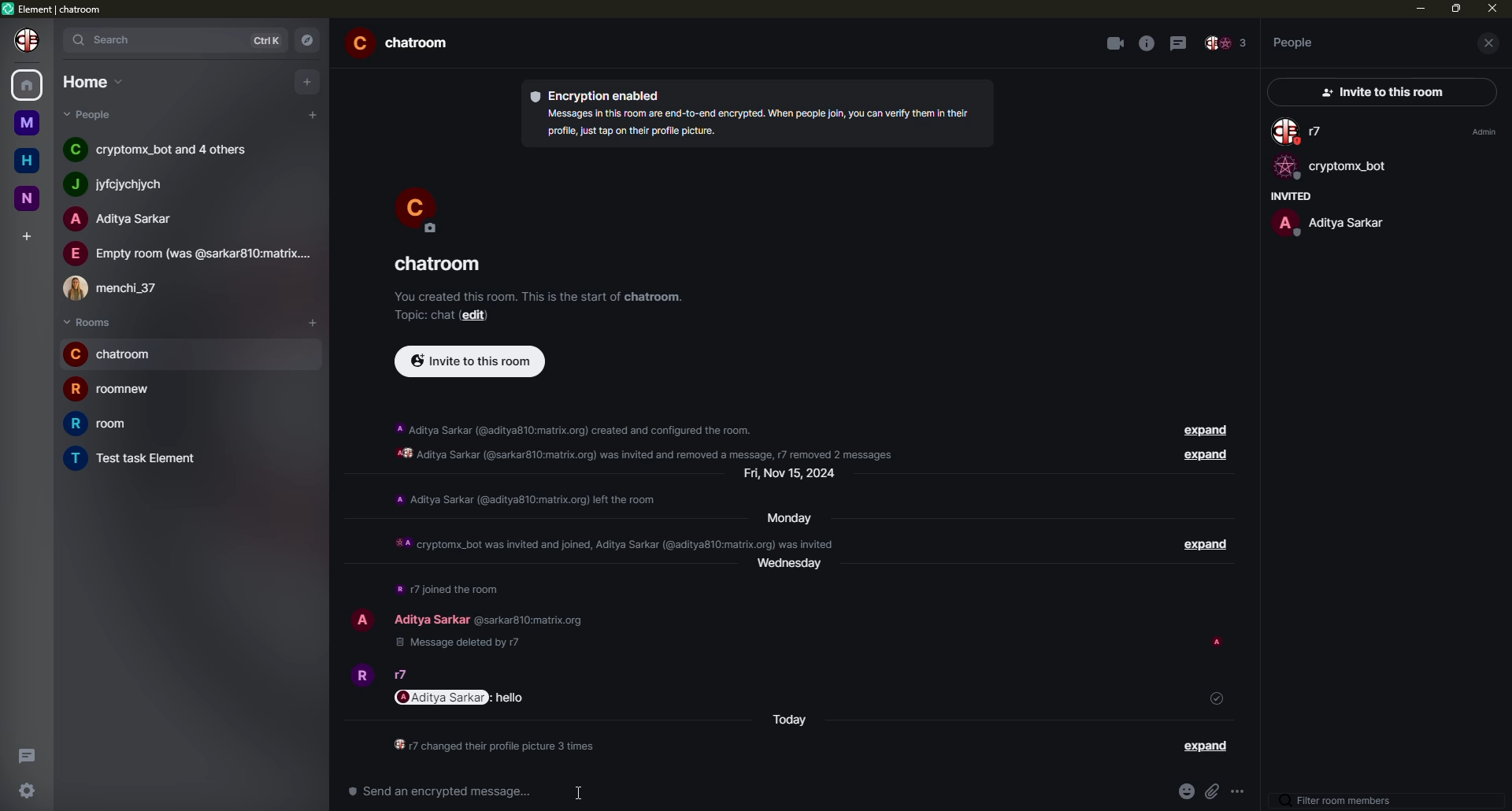 The width and height of the screenshot is (1512, 811). Describe the element at coordinates (109, 39) in the screenshot. I see `search` at that location.